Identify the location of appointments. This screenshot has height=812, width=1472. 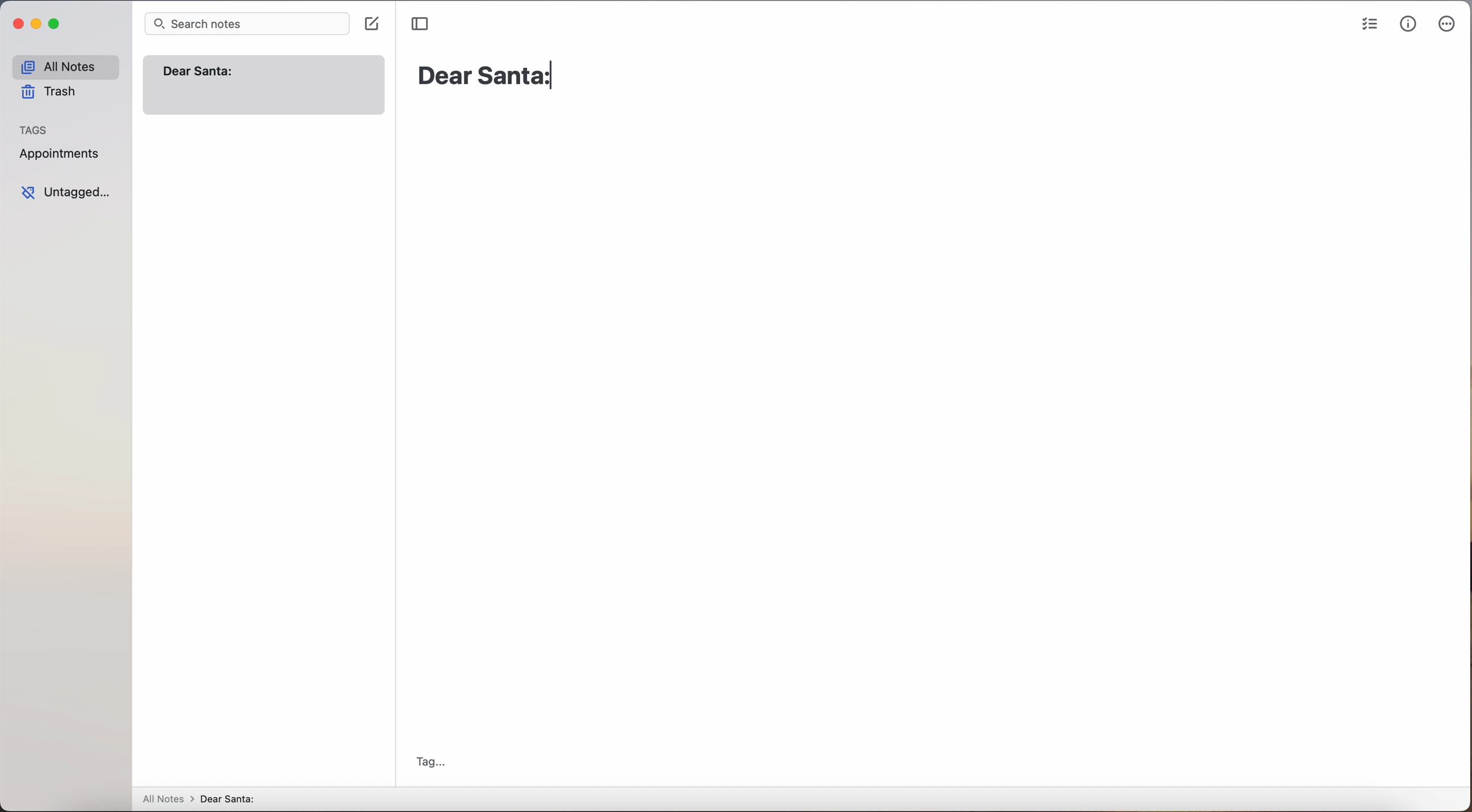
(61, 156).